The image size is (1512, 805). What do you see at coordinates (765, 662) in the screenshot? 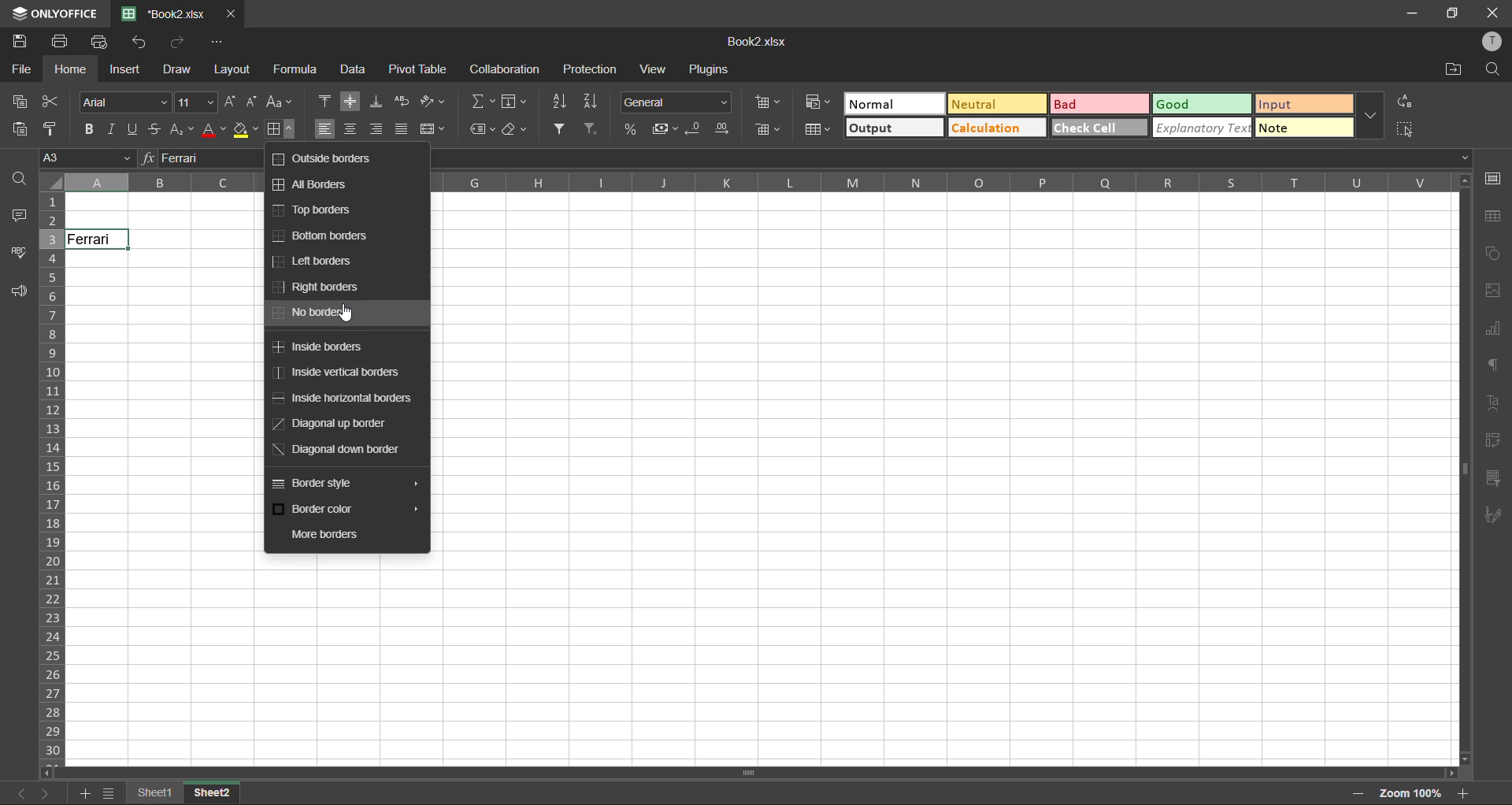
I see `Input area` at bounding box center [765, 662].